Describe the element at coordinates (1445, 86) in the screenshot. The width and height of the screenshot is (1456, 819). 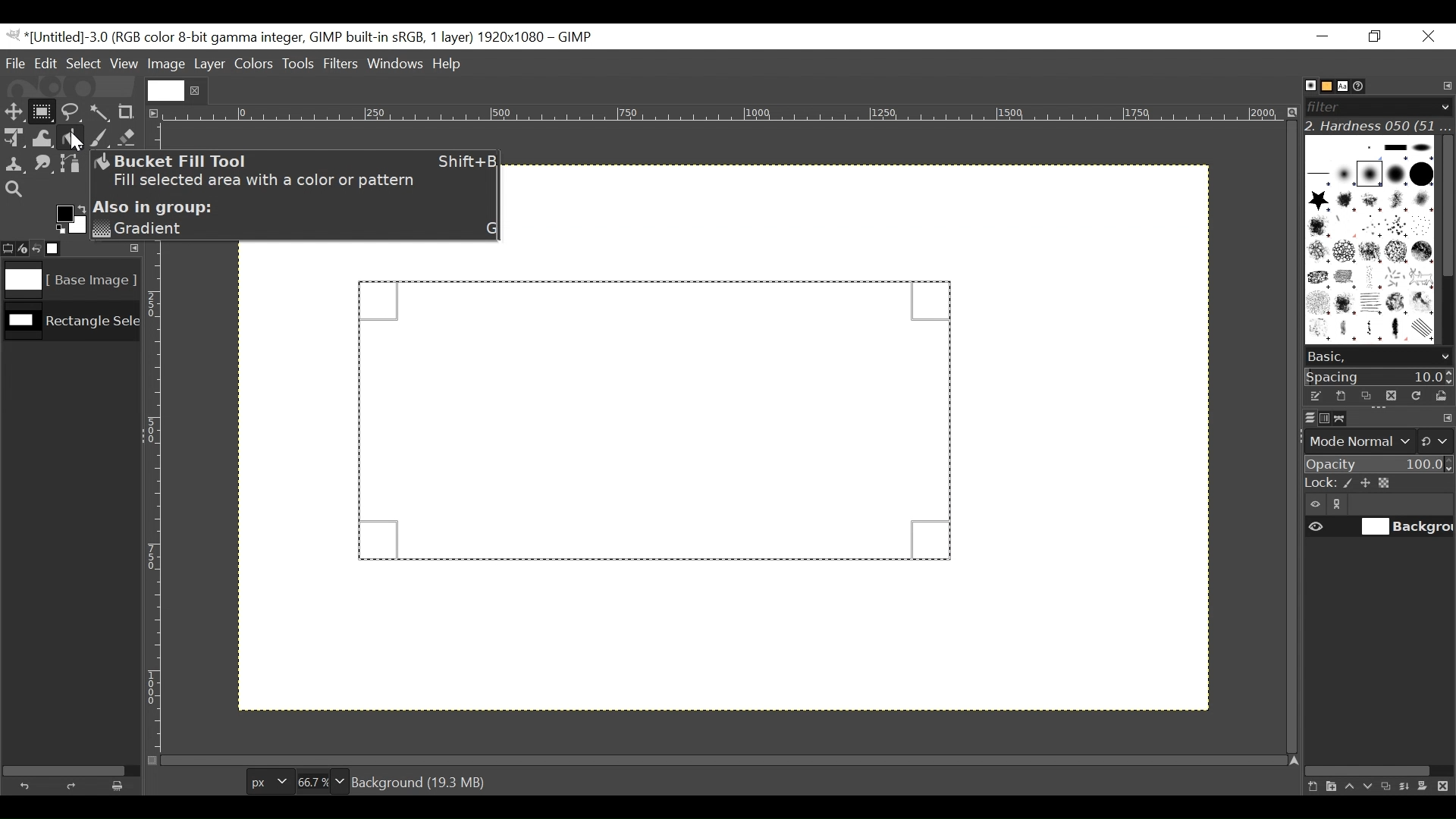
I see `Configure tab` at that location.